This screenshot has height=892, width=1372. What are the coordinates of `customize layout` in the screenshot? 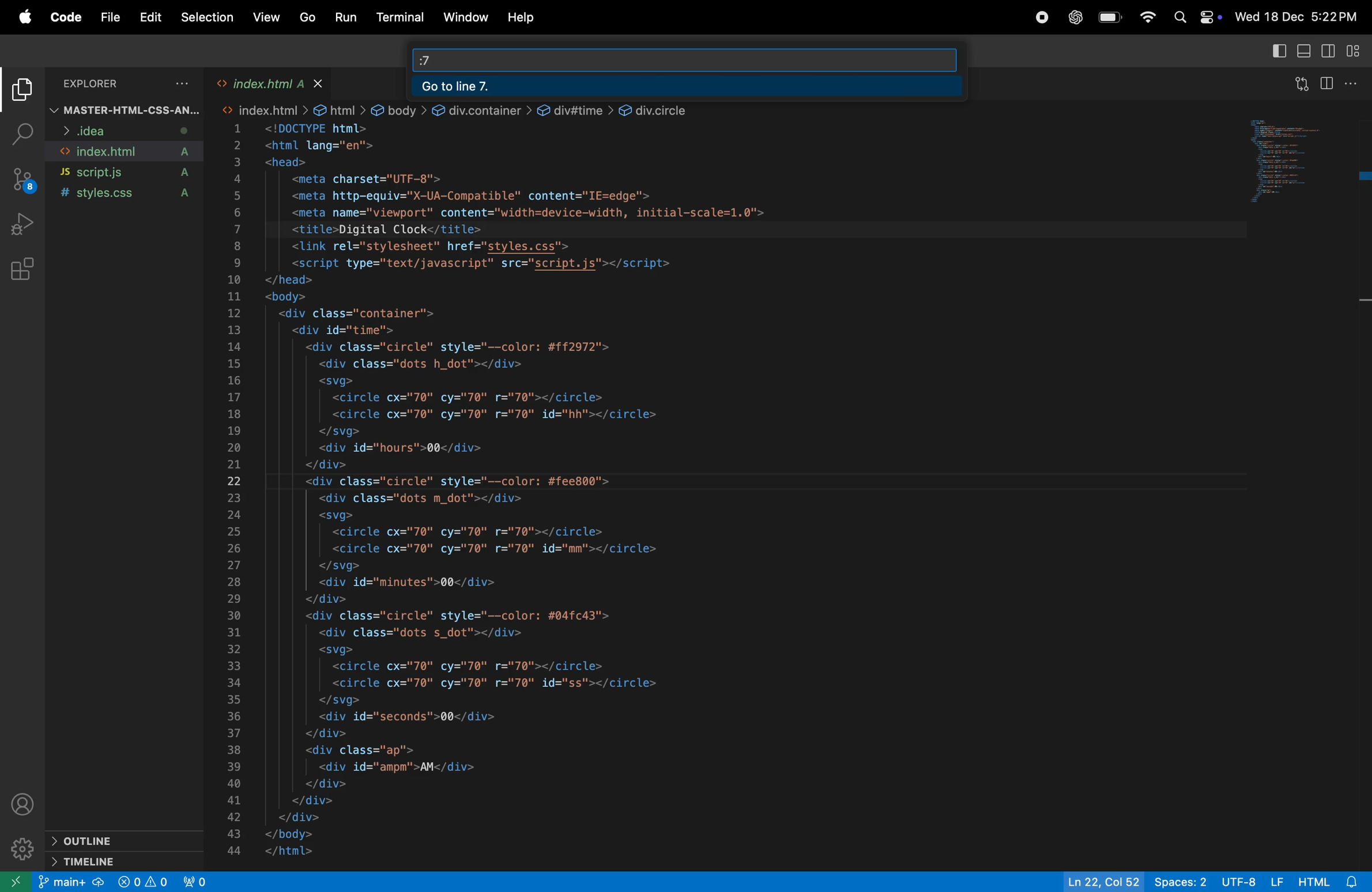 It's located at (1355, 52).